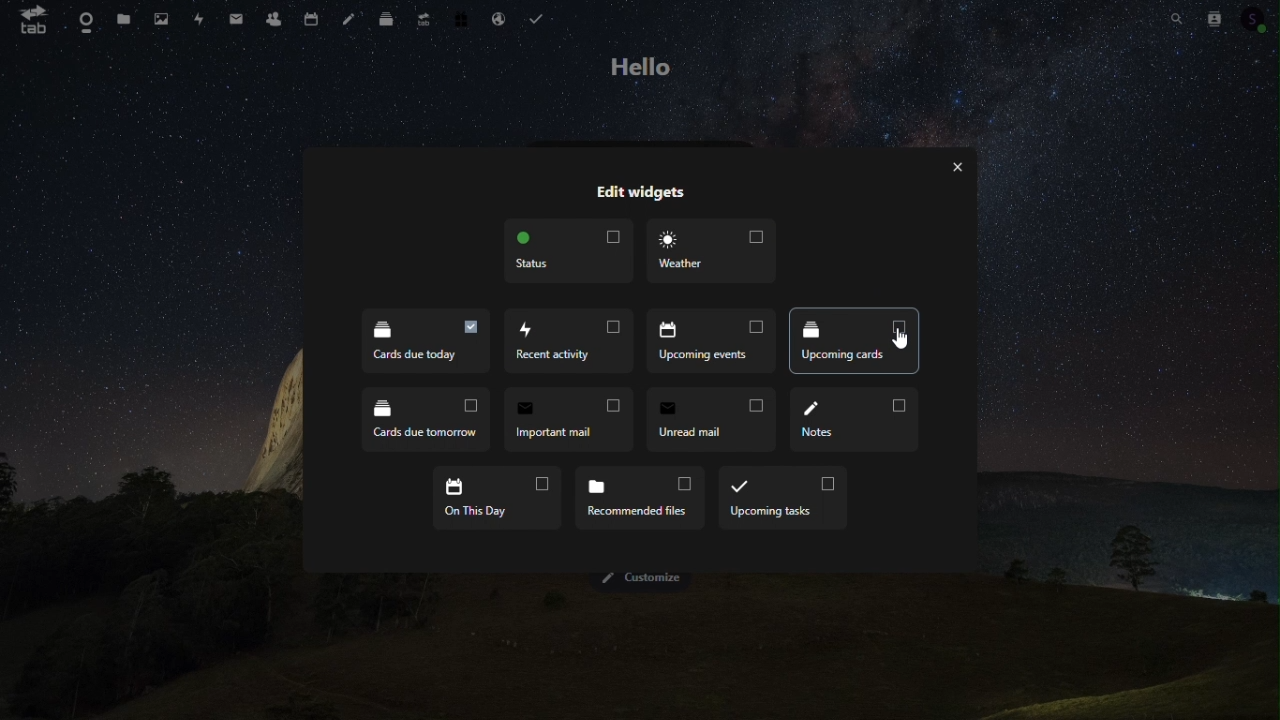 The height and width of the screenshot is (720, 1280). Describe the element at coordinates (784, 500) in the screenshot. I see `Upcoming tasks` at that location.